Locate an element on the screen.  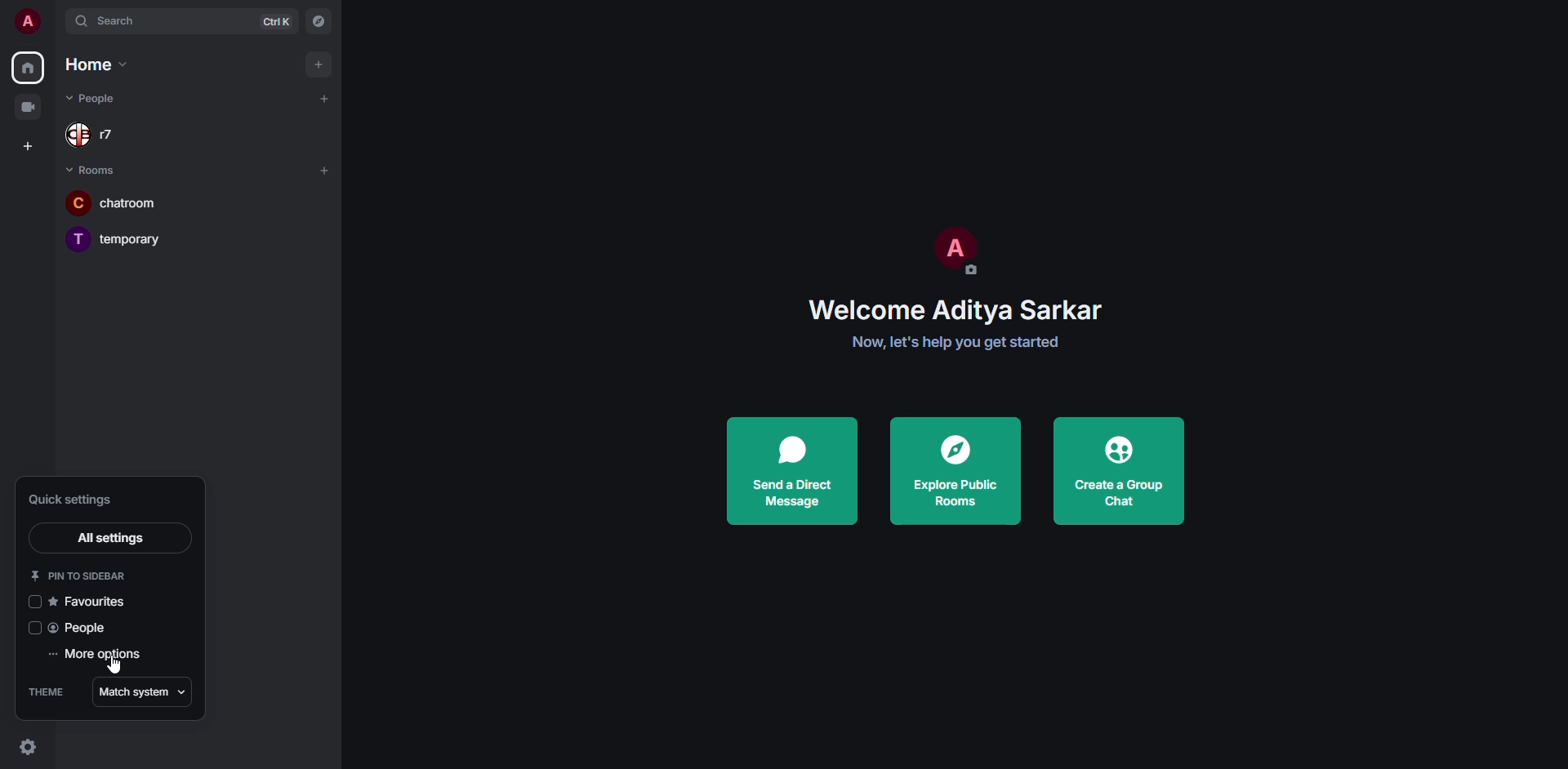
rooms is located at coordinates (95, 170).